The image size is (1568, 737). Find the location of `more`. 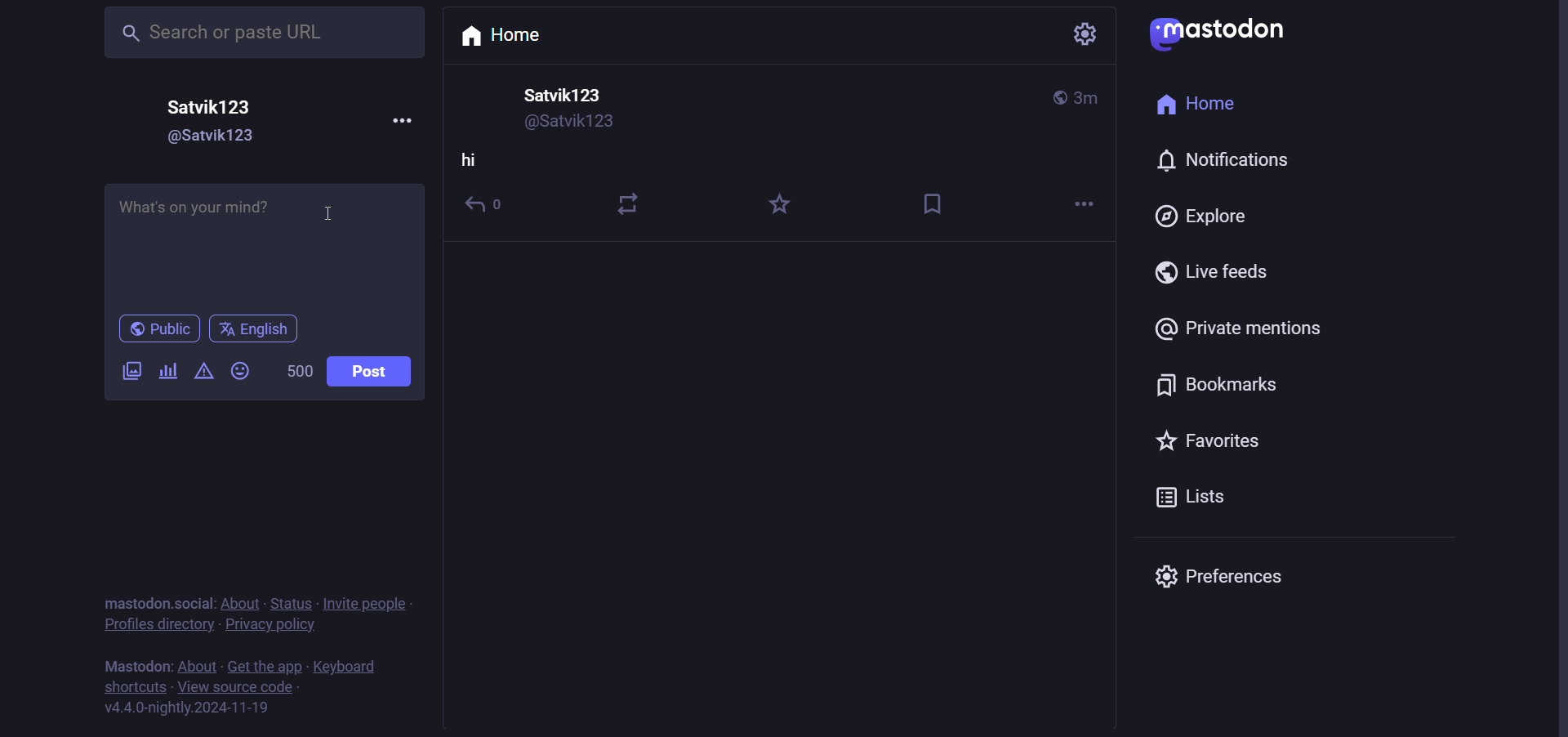

more is located at coordinates (401, 117).